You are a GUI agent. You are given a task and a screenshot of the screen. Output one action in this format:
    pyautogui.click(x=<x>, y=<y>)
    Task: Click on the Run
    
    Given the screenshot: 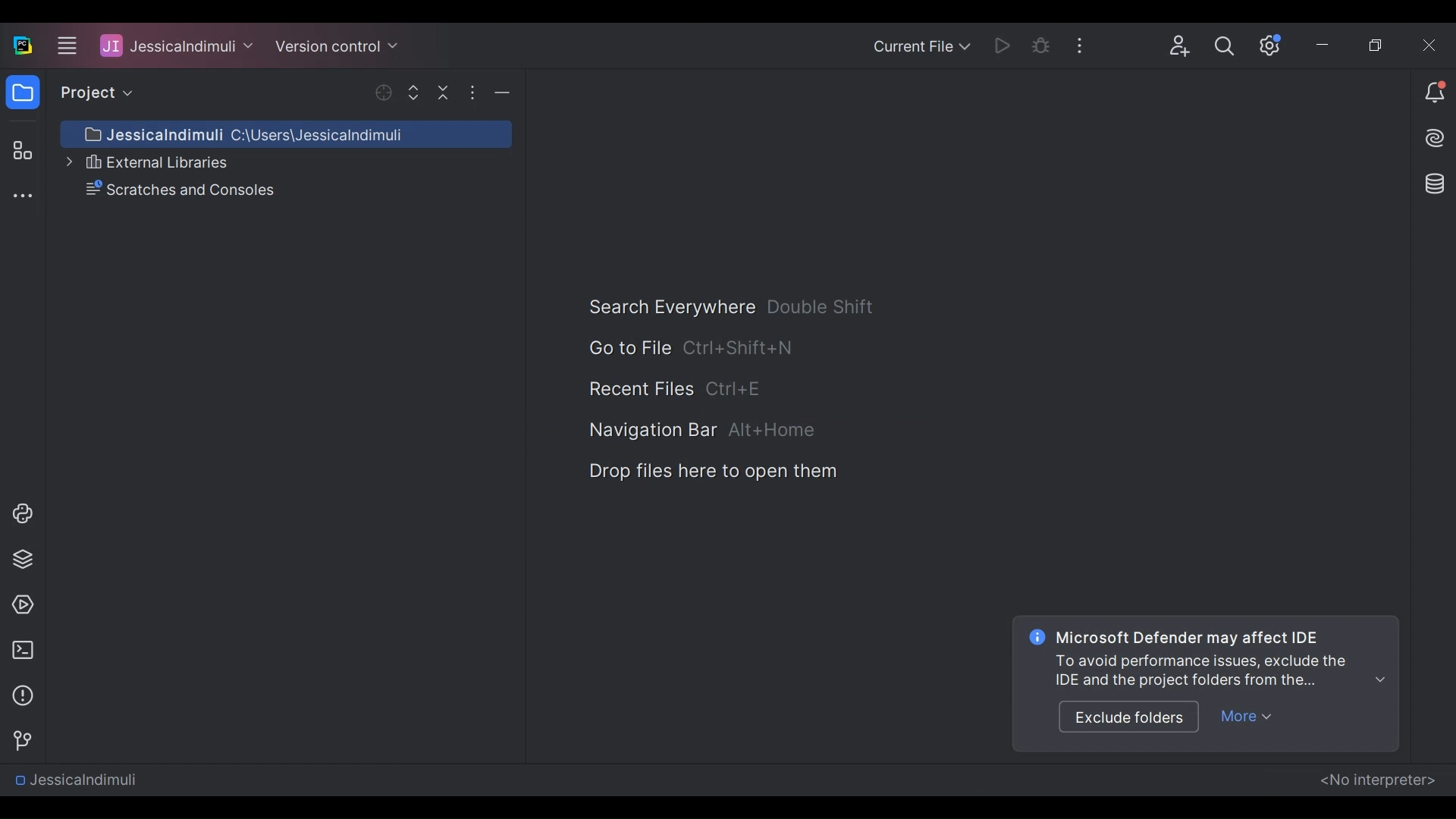 What is the action you would take?
    pyautogui.click(x=1000, y=46)
    